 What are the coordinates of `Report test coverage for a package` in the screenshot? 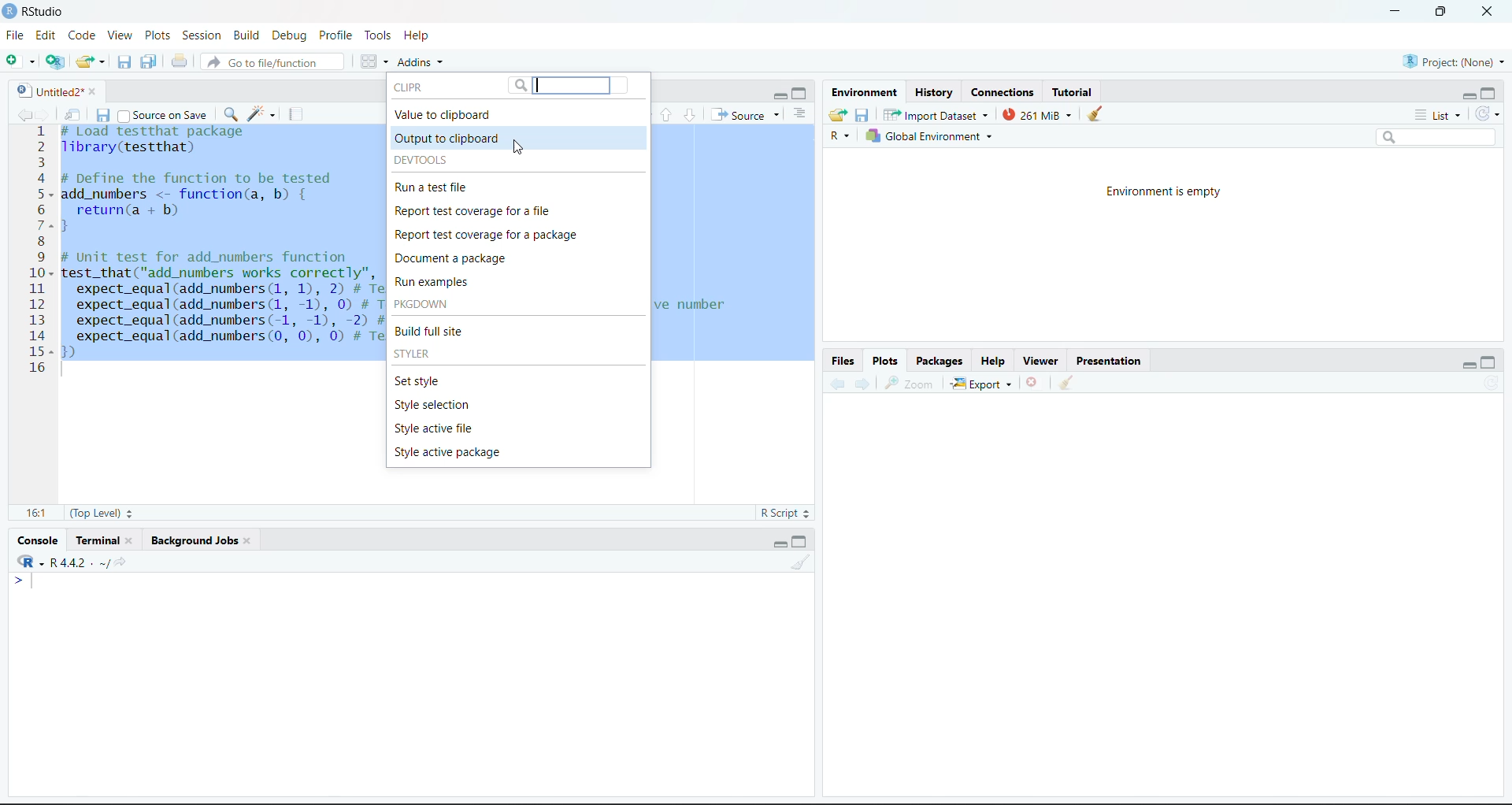 It's located at (484, 235).